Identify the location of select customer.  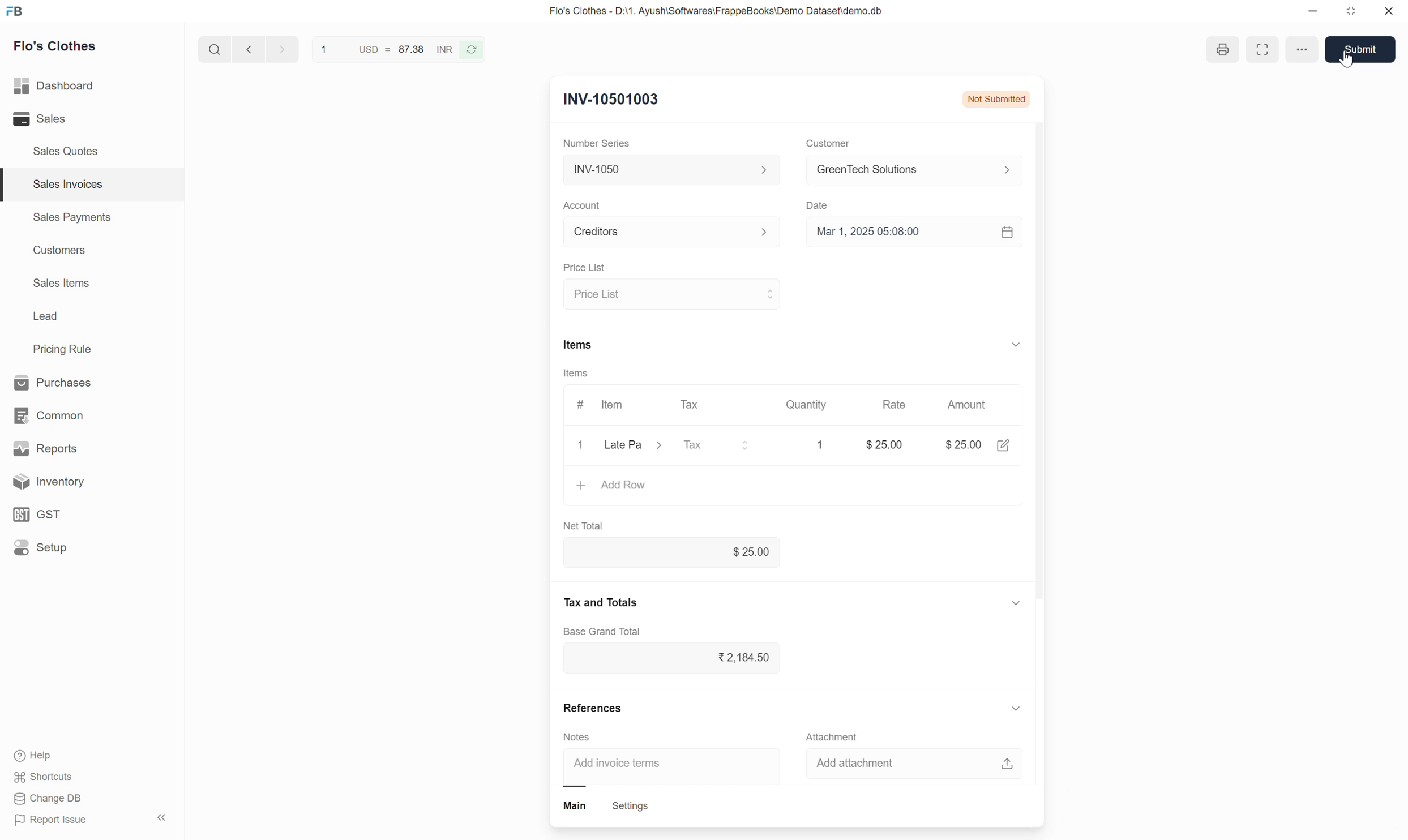
(911, 172).